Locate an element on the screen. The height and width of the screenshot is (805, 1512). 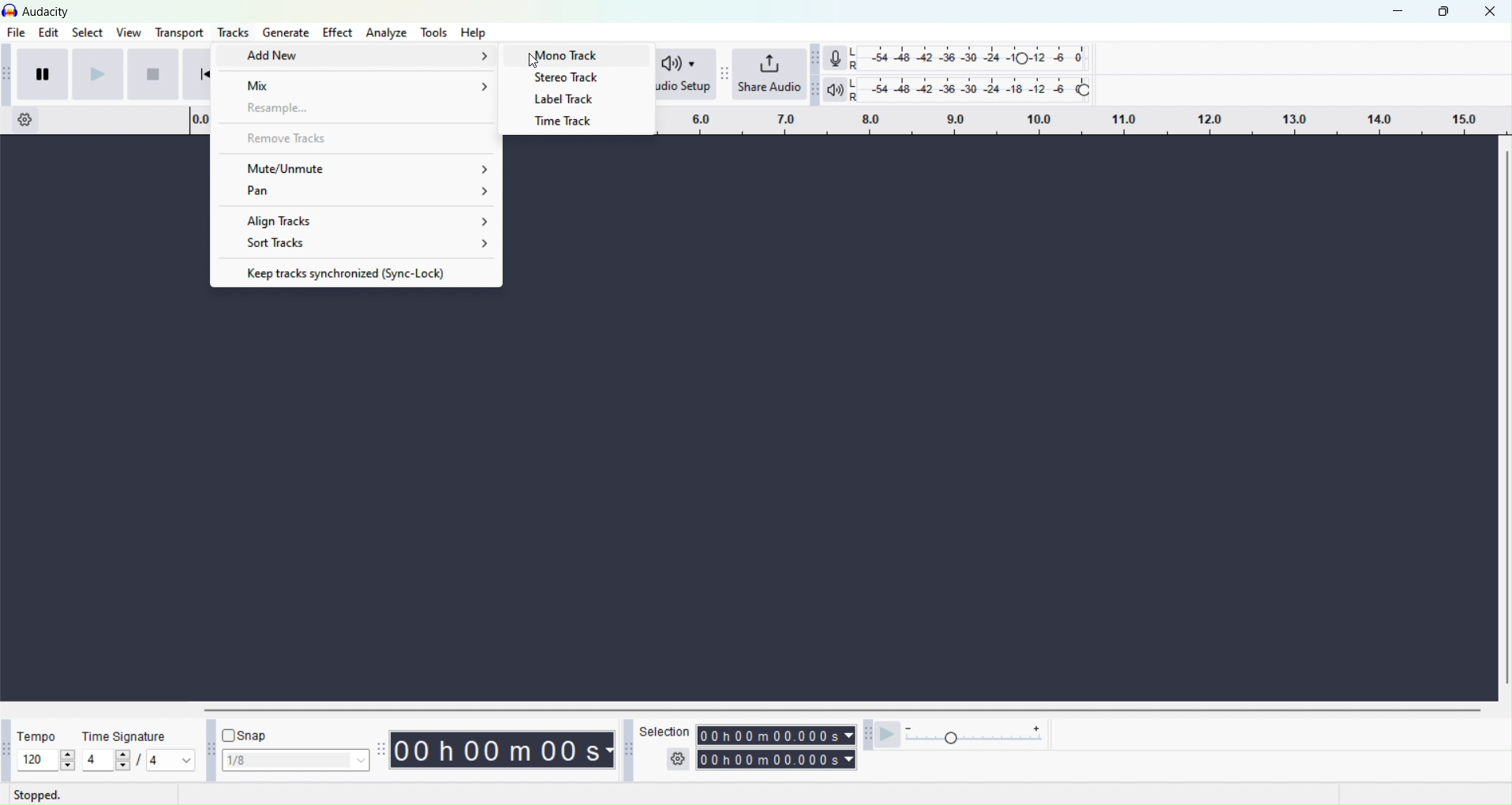
Mute/unmute is located at coordinates (357, 166).